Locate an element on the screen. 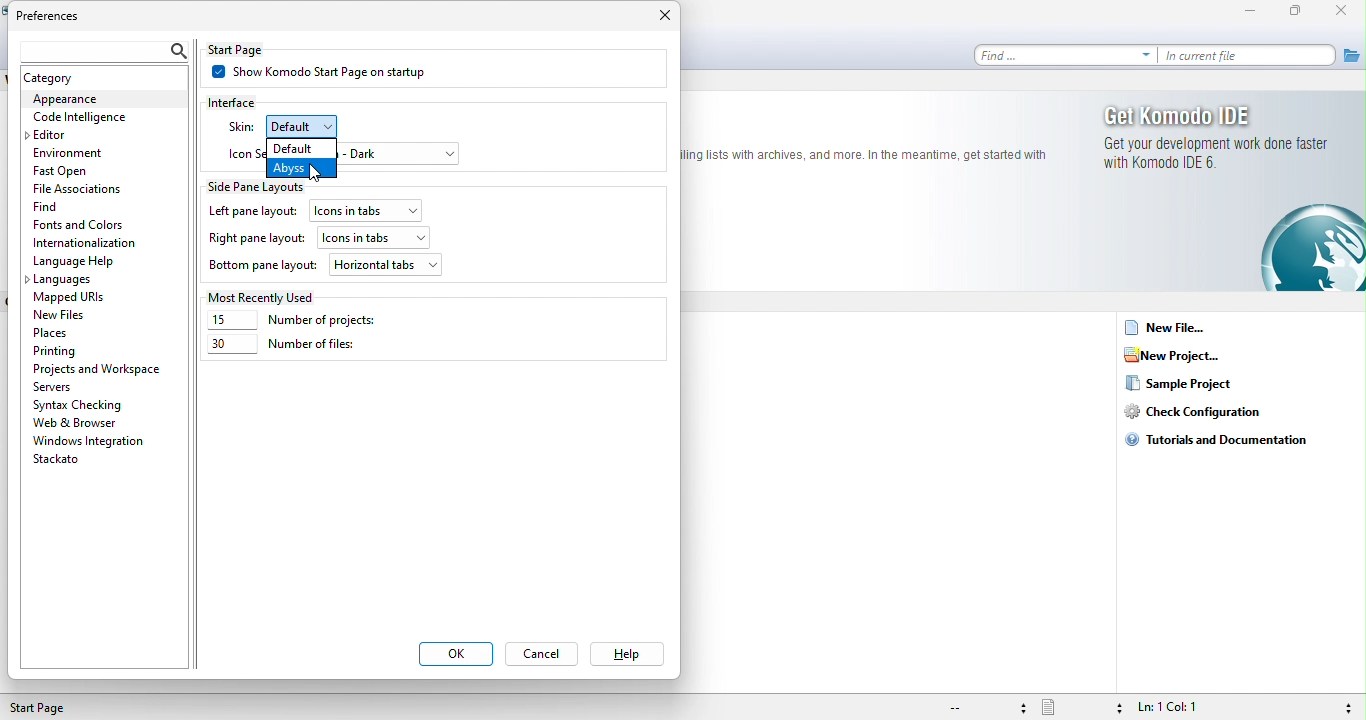 This screenshot has width=1366, height=720. minimize is located at coordinates (1255, 12).